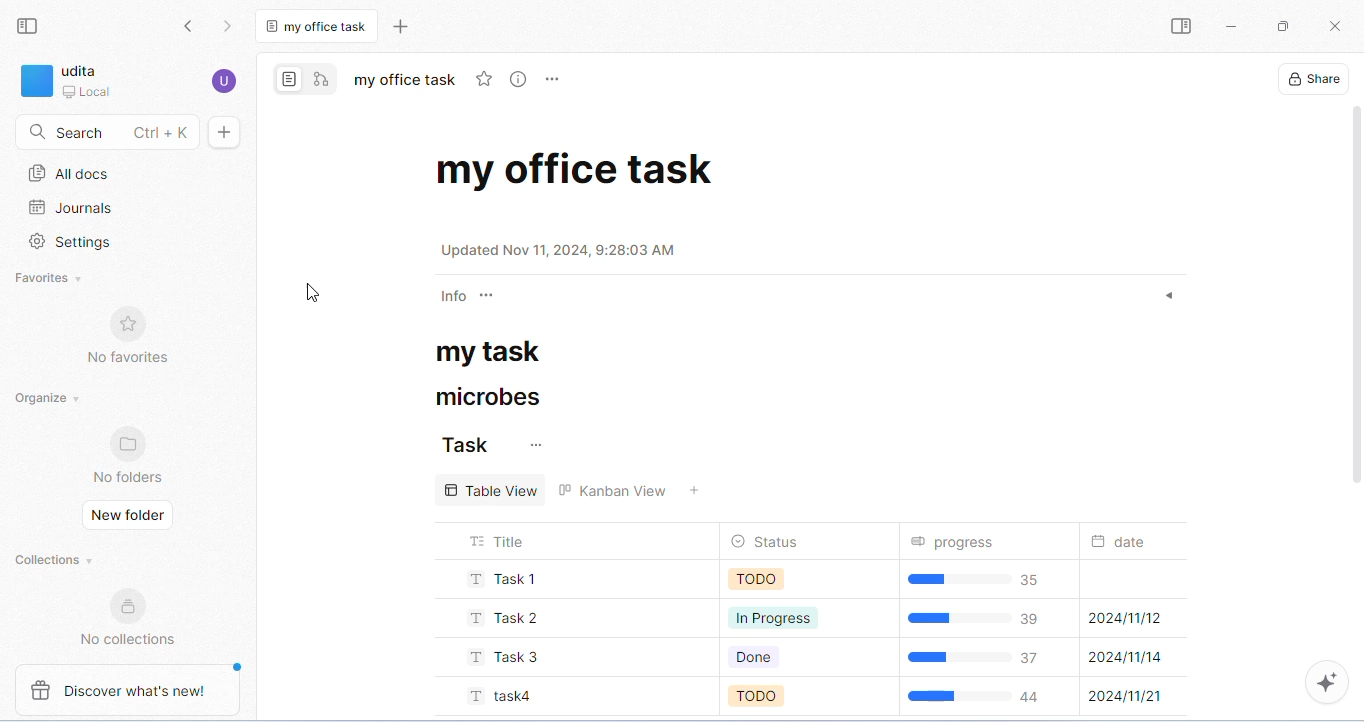 The height and width of the screenshot is (722, 1364). I want to click on open side bar, so click(1184, 28).